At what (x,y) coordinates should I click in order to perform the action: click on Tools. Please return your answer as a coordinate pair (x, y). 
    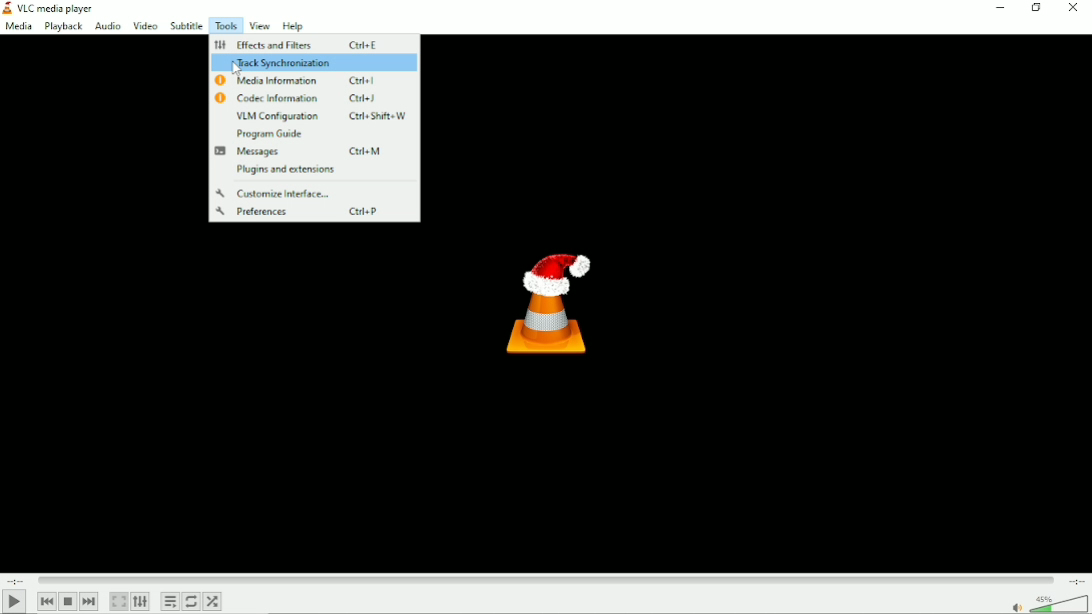
    Looking at the image, I should click on (226, 25).